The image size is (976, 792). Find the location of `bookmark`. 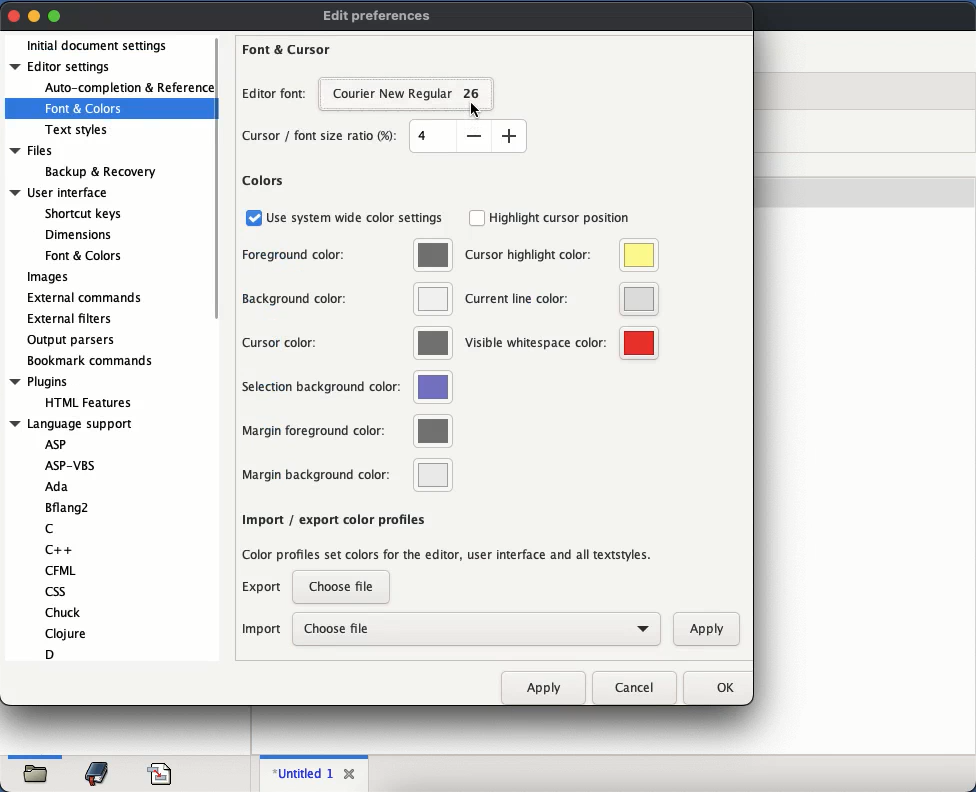

bookmark is located at coordinates (99, 772).